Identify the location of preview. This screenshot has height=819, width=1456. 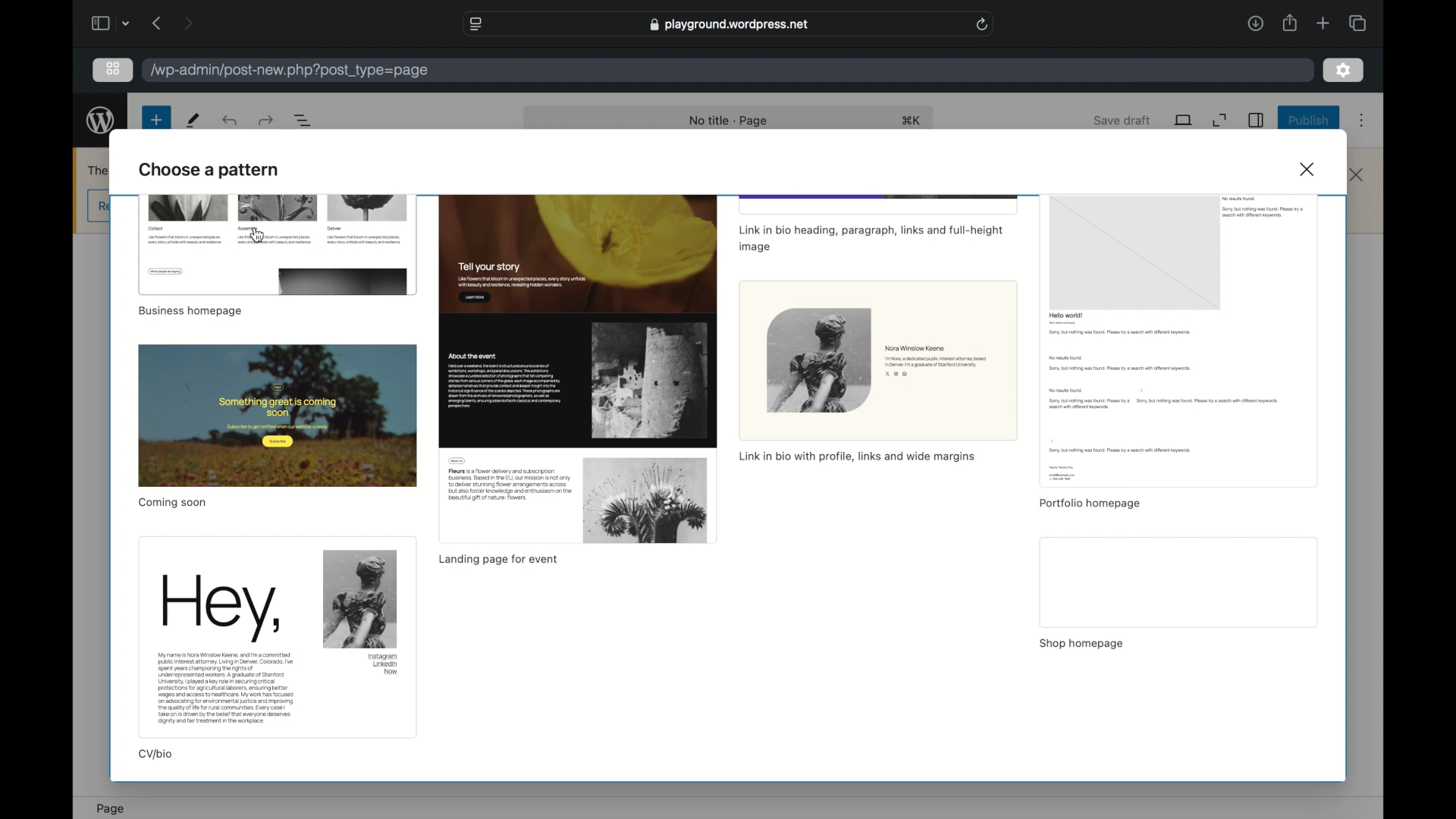
(278, 415).